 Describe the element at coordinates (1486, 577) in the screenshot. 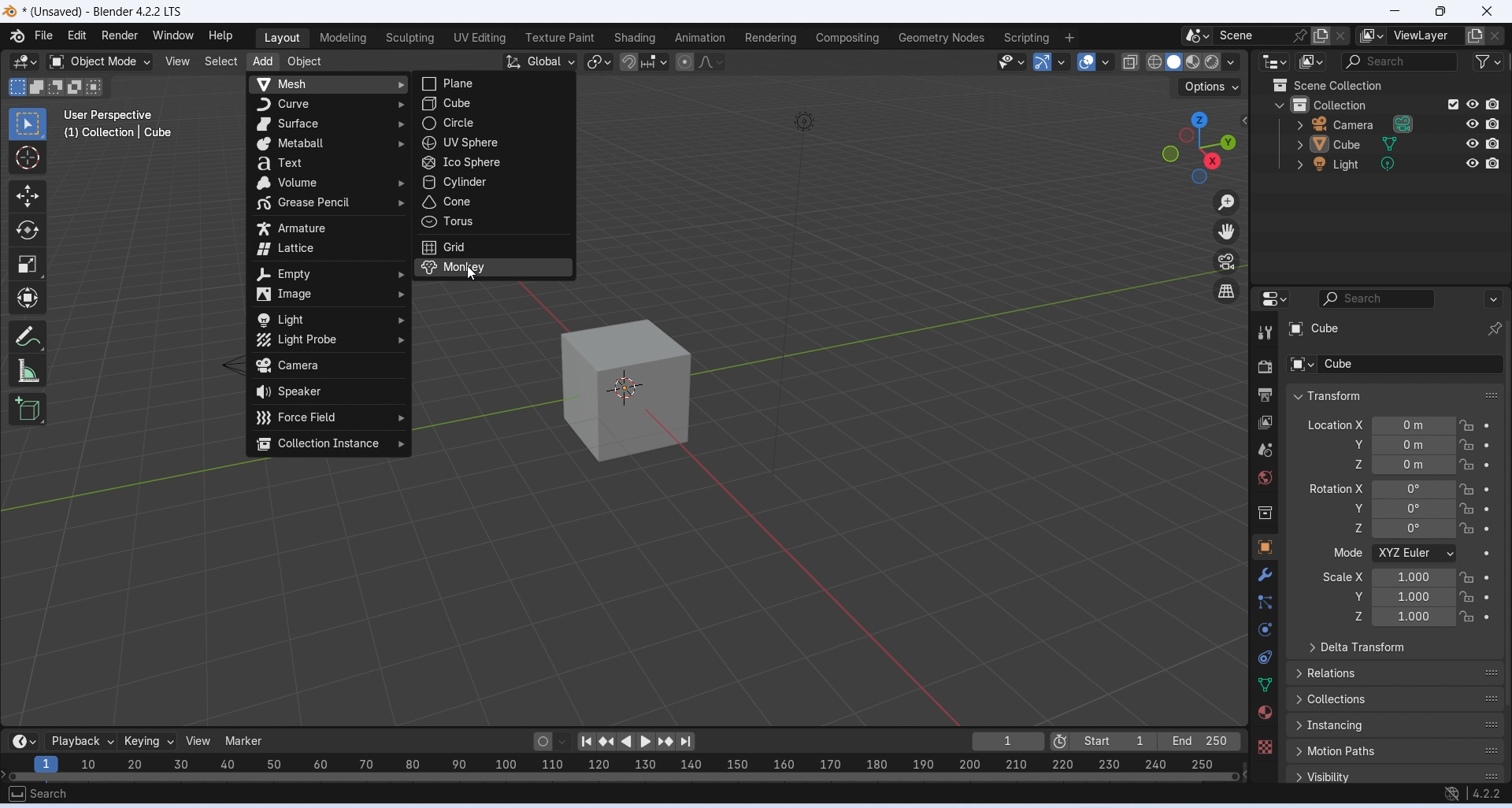

I see `animate property` at that location.